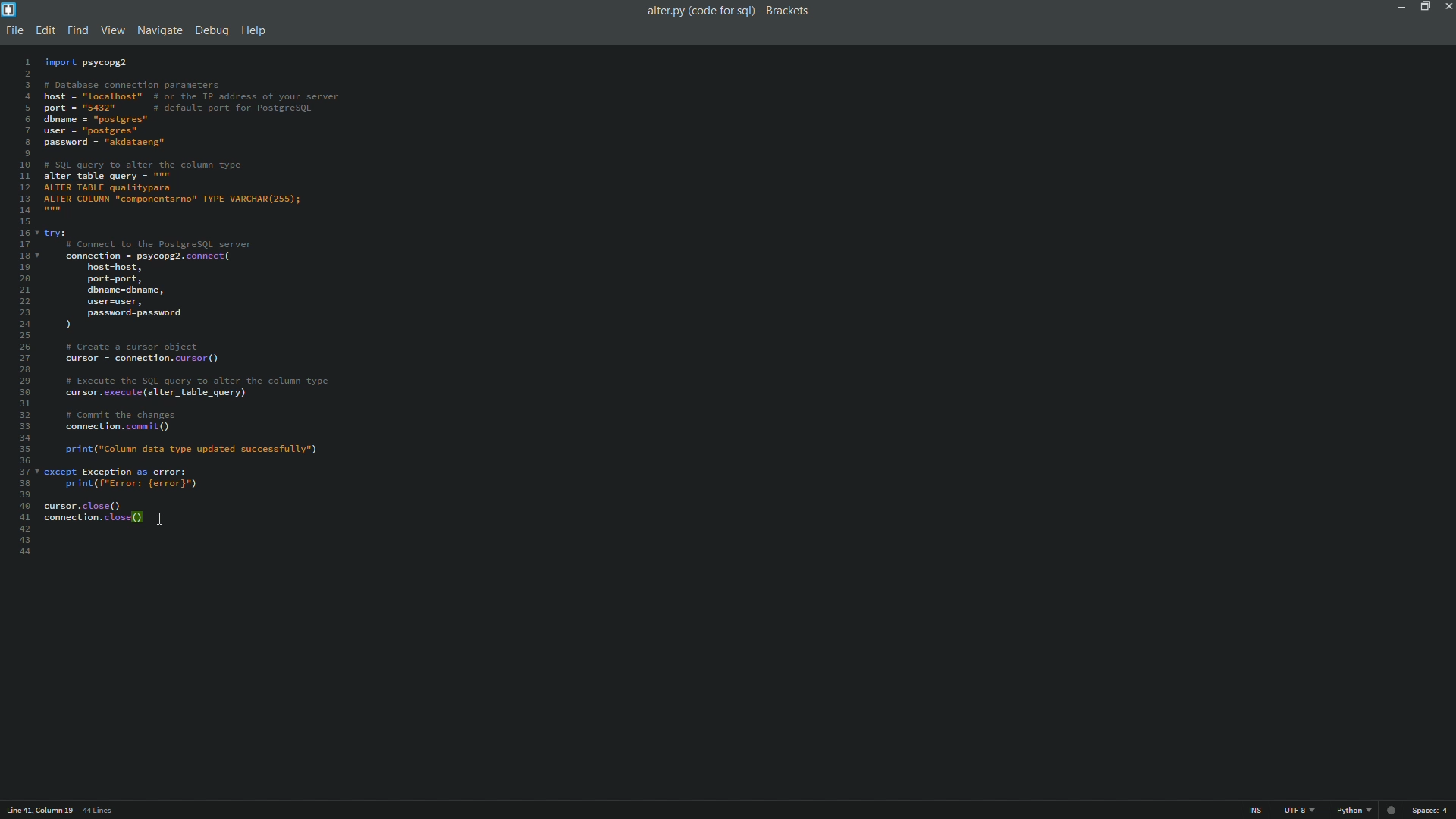 This screenshot has width=1456, height=819. Describe the element at coordinates (9, 9) in the screenshot. I see `app icon` at that location.